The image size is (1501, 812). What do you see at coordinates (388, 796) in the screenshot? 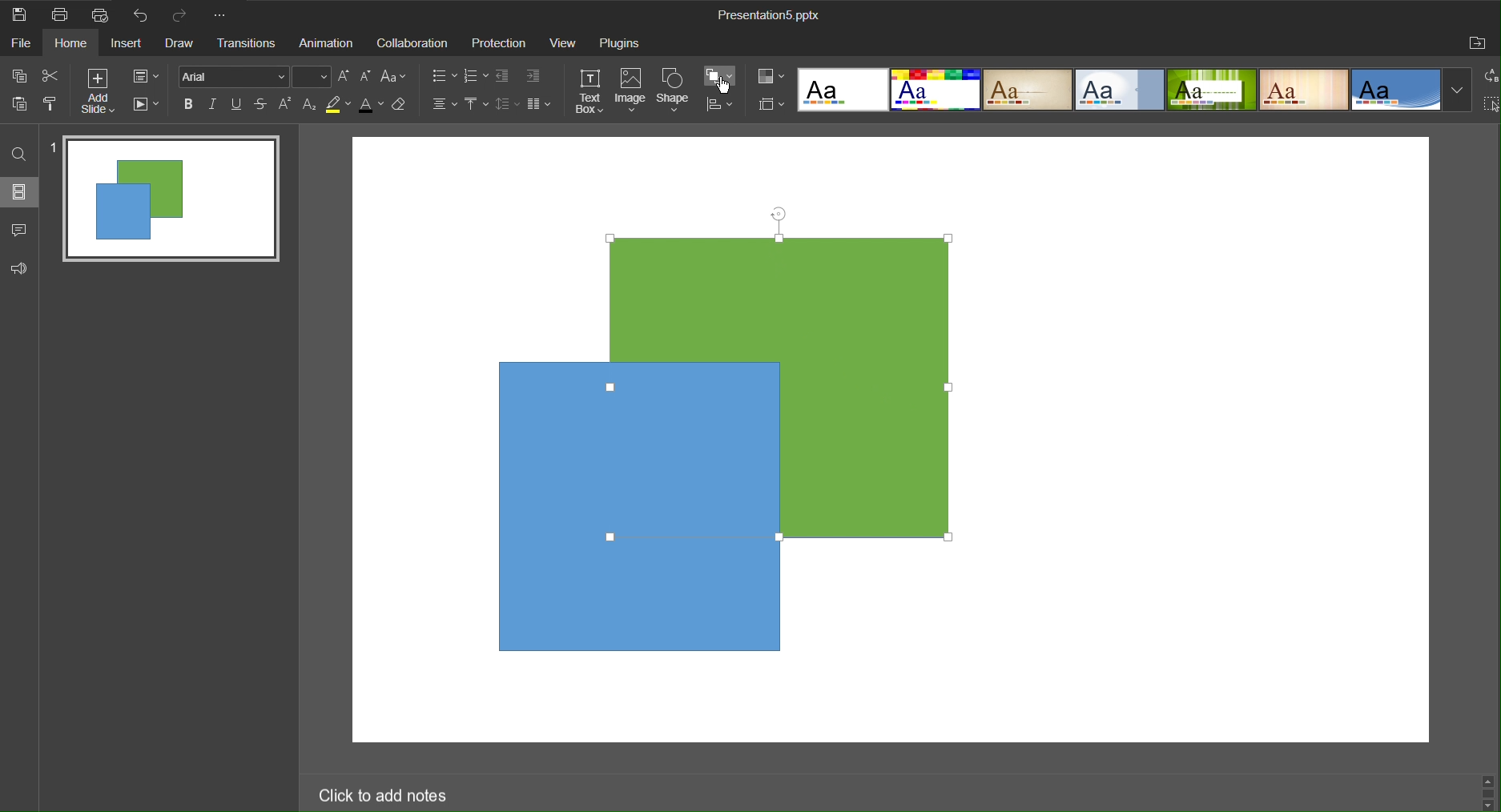
I see `Click to add notes` at bounding box center [388, 796].